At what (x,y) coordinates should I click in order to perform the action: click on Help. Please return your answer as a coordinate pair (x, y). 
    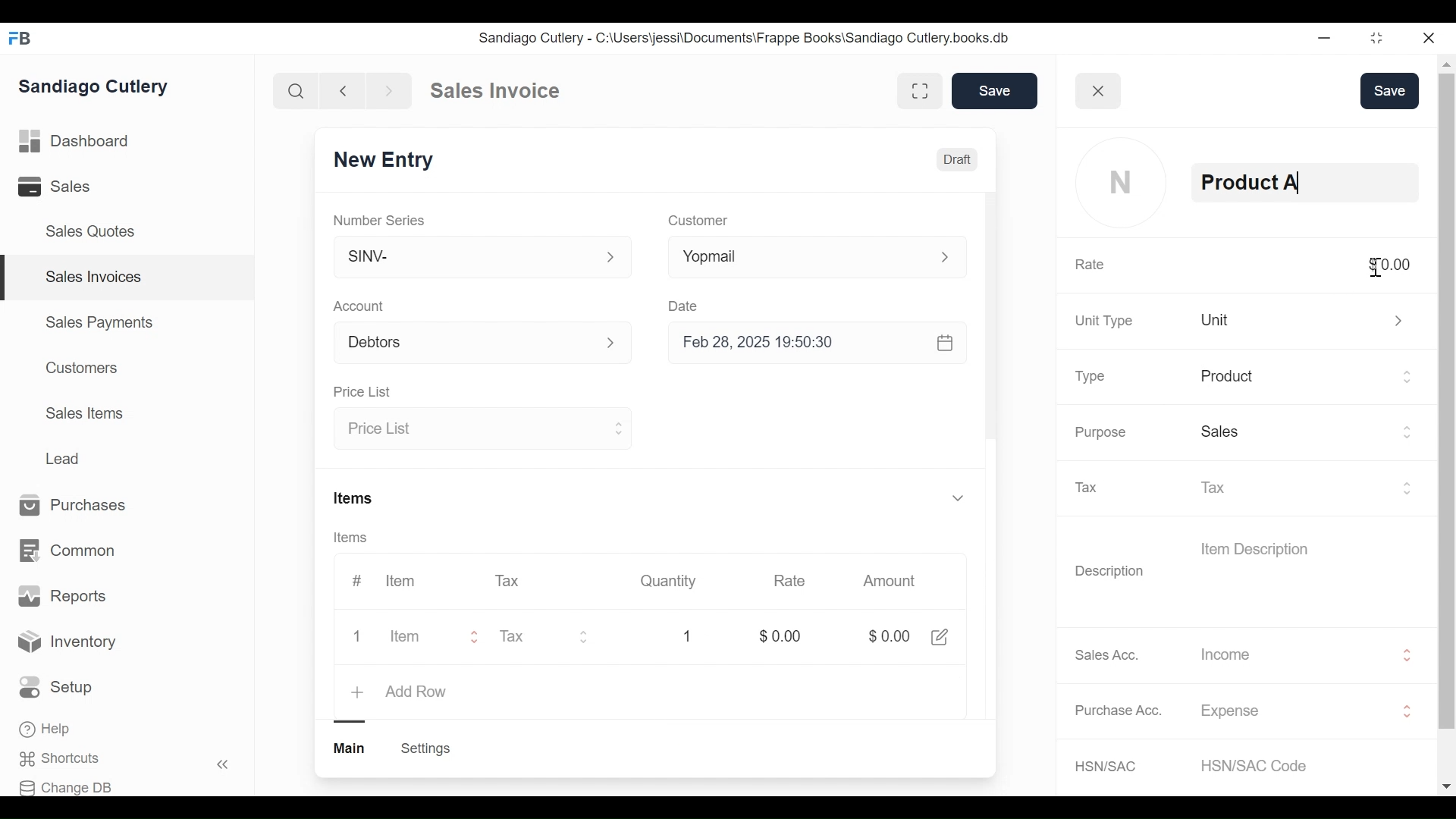
    Looking at the image, I should click on (46, 729).